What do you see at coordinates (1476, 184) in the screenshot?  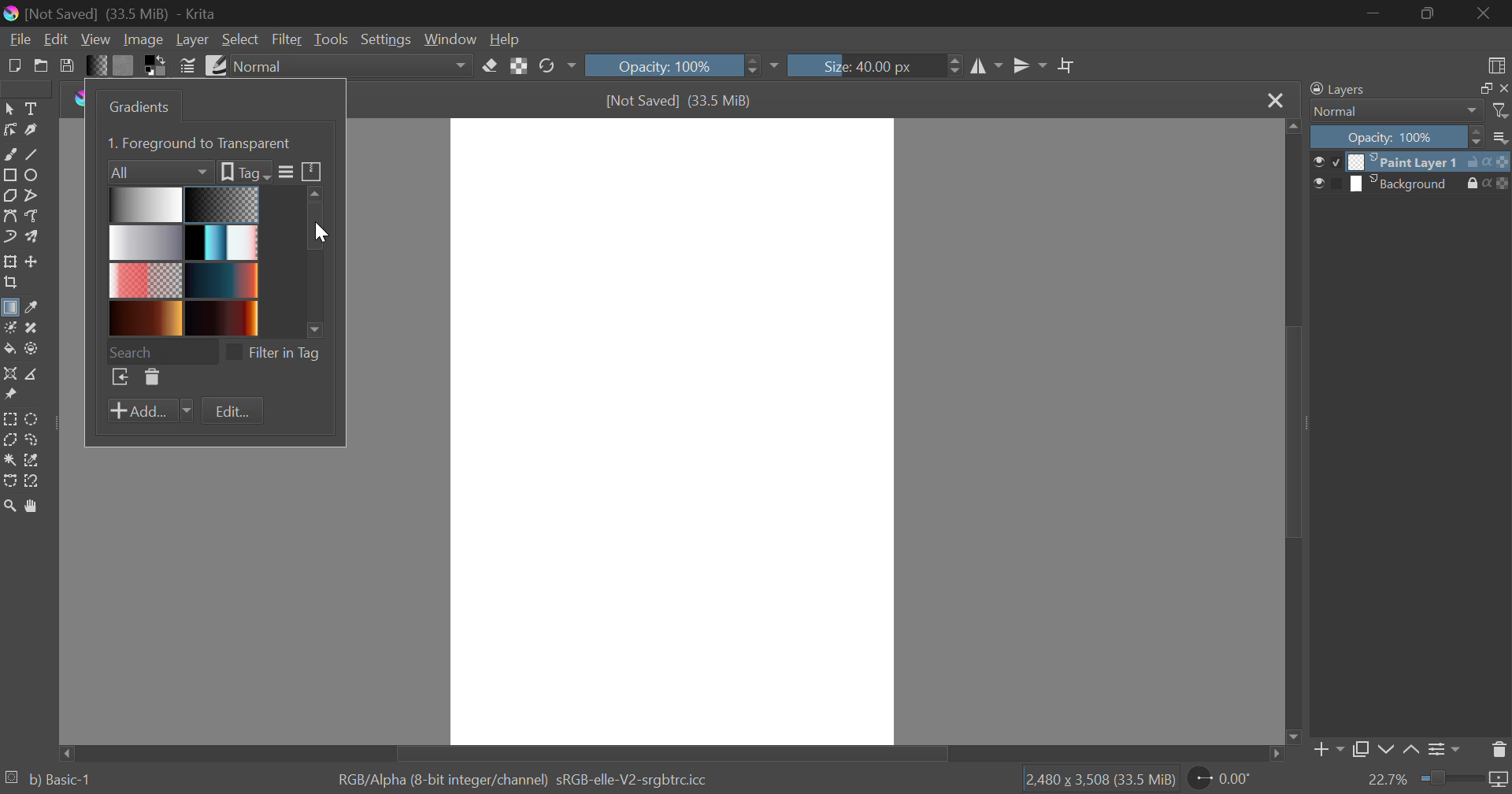 I see `lock` at bounding box center [1476, 184].